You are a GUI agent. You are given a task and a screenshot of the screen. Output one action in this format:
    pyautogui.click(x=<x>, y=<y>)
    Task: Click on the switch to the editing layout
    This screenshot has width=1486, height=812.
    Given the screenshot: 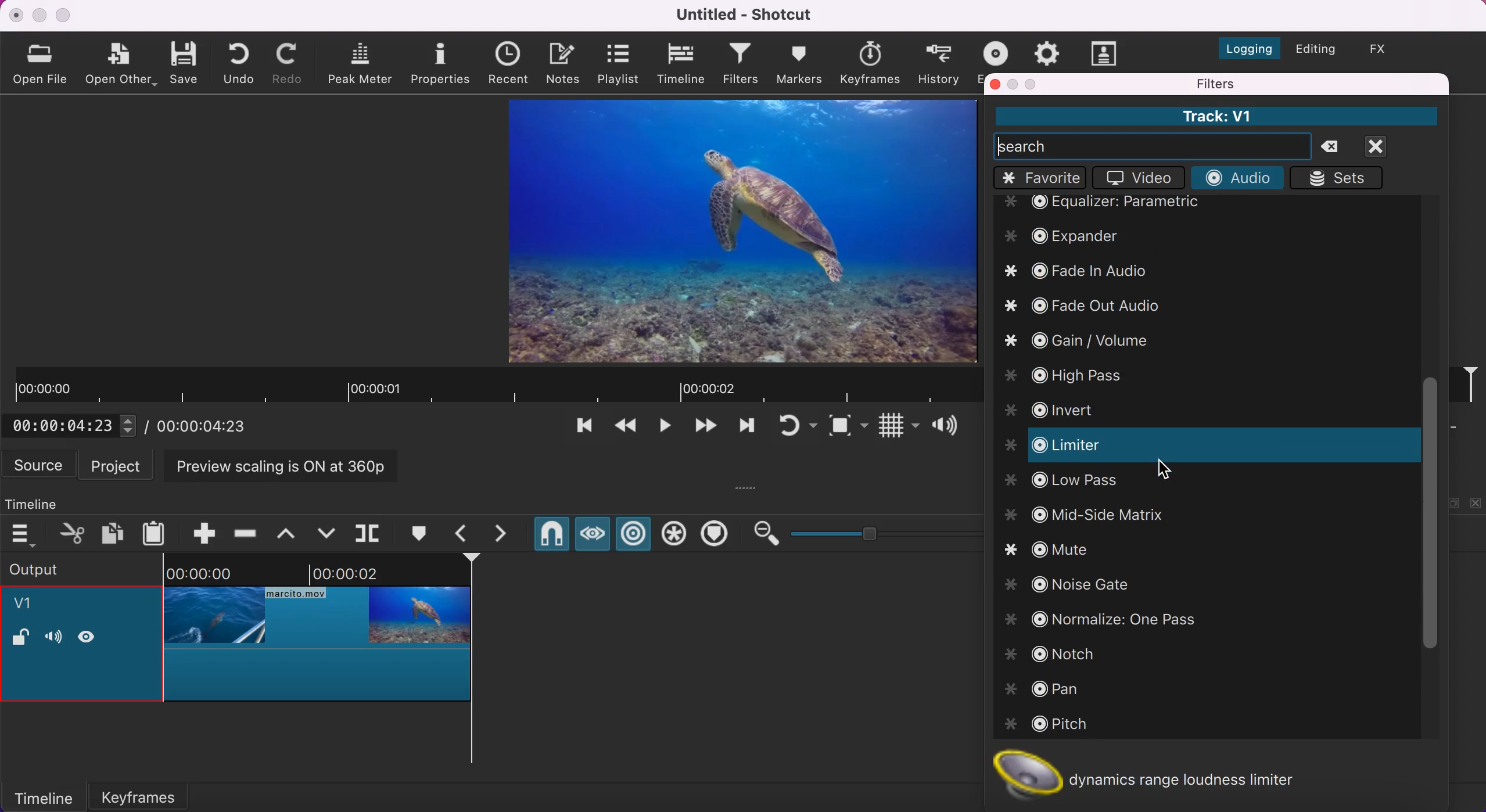 What is the action you would take?
    pyautogui.click(x=1314, y=51)
    